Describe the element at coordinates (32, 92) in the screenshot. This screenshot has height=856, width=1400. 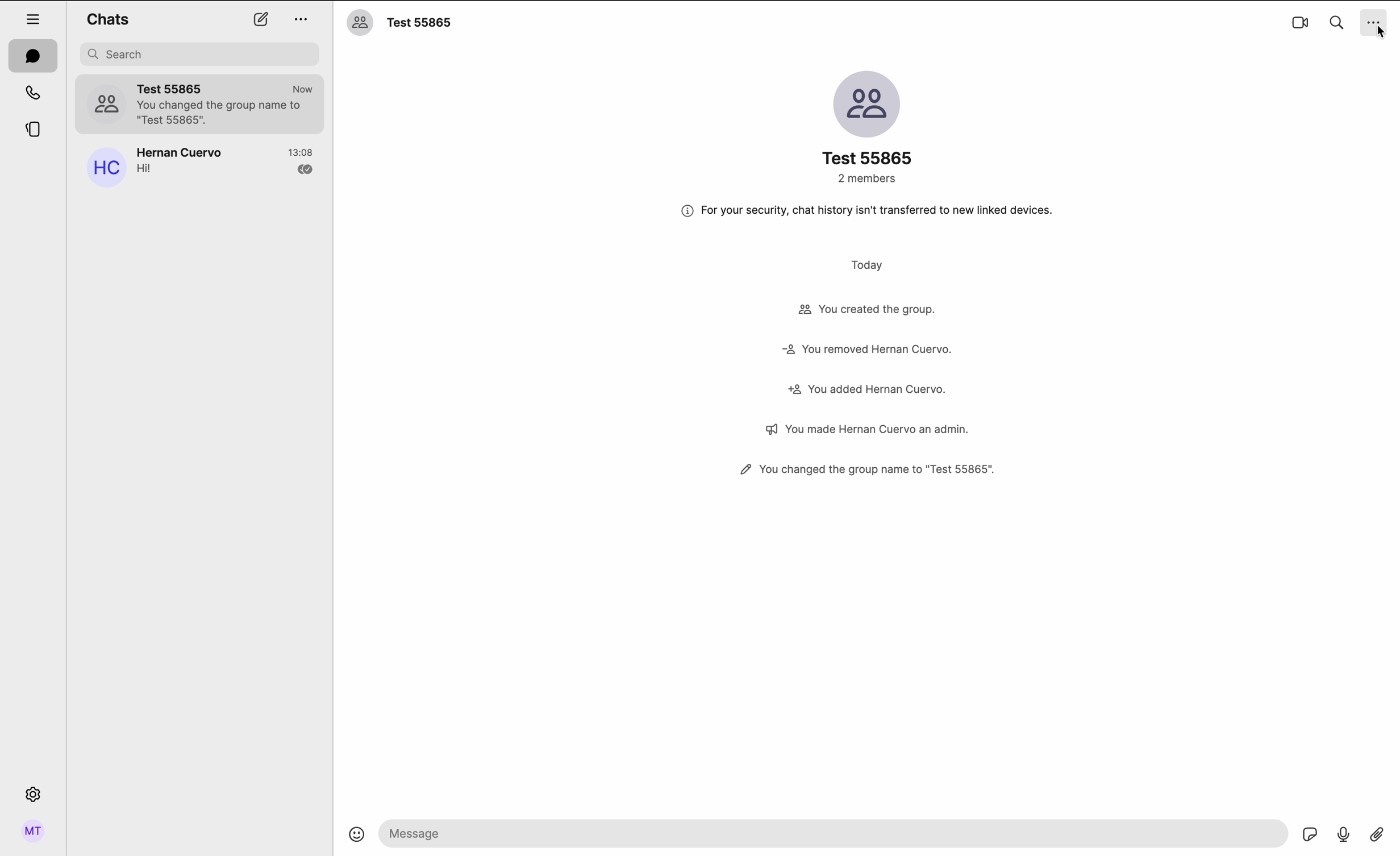
I see `calls` at that location.